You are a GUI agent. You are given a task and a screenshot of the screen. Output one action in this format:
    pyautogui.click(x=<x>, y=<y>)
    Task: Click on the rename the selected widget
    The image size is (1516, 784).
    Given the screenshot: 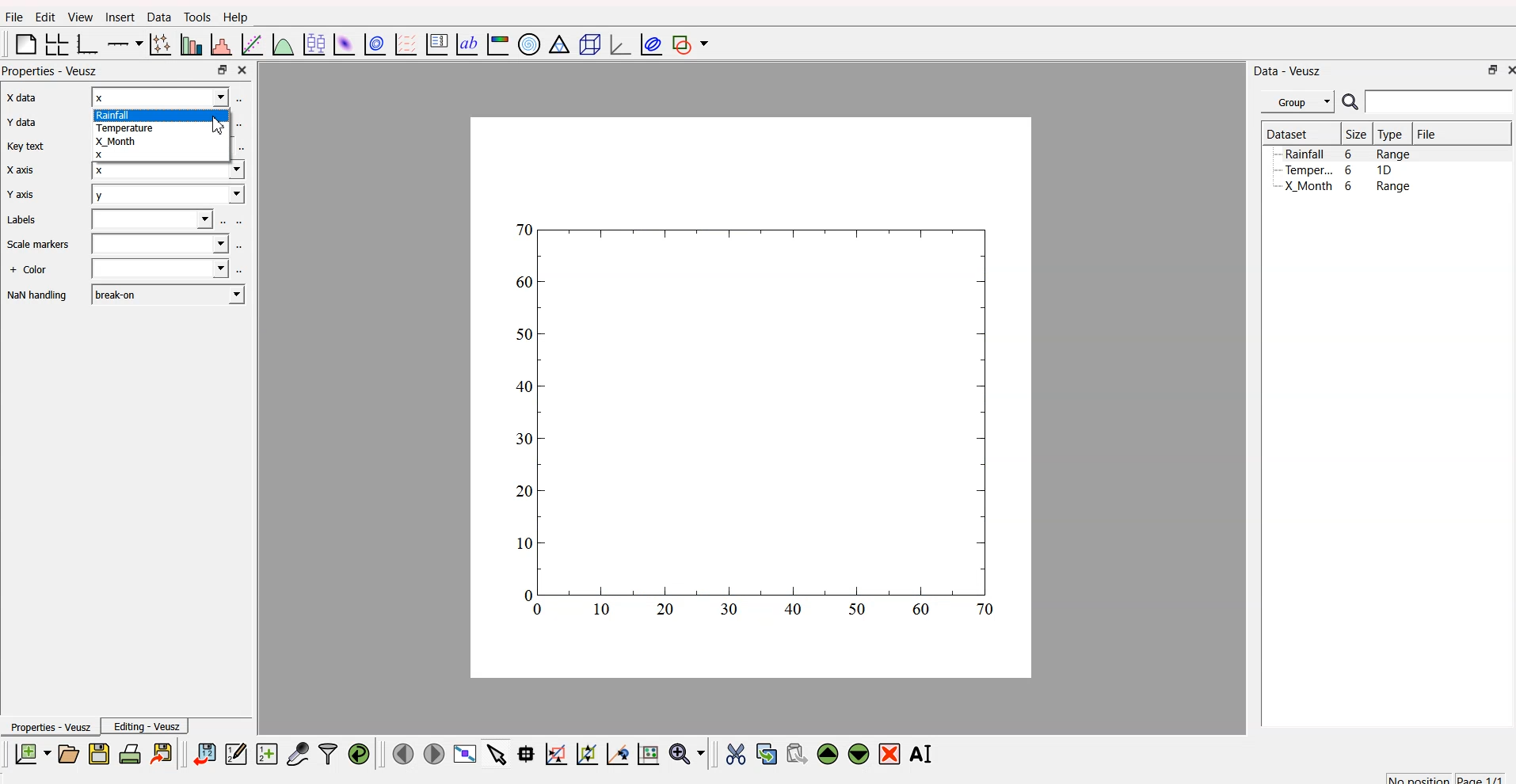 What is the action you would take?
    pyautogui.click(x=924, y=753)
    